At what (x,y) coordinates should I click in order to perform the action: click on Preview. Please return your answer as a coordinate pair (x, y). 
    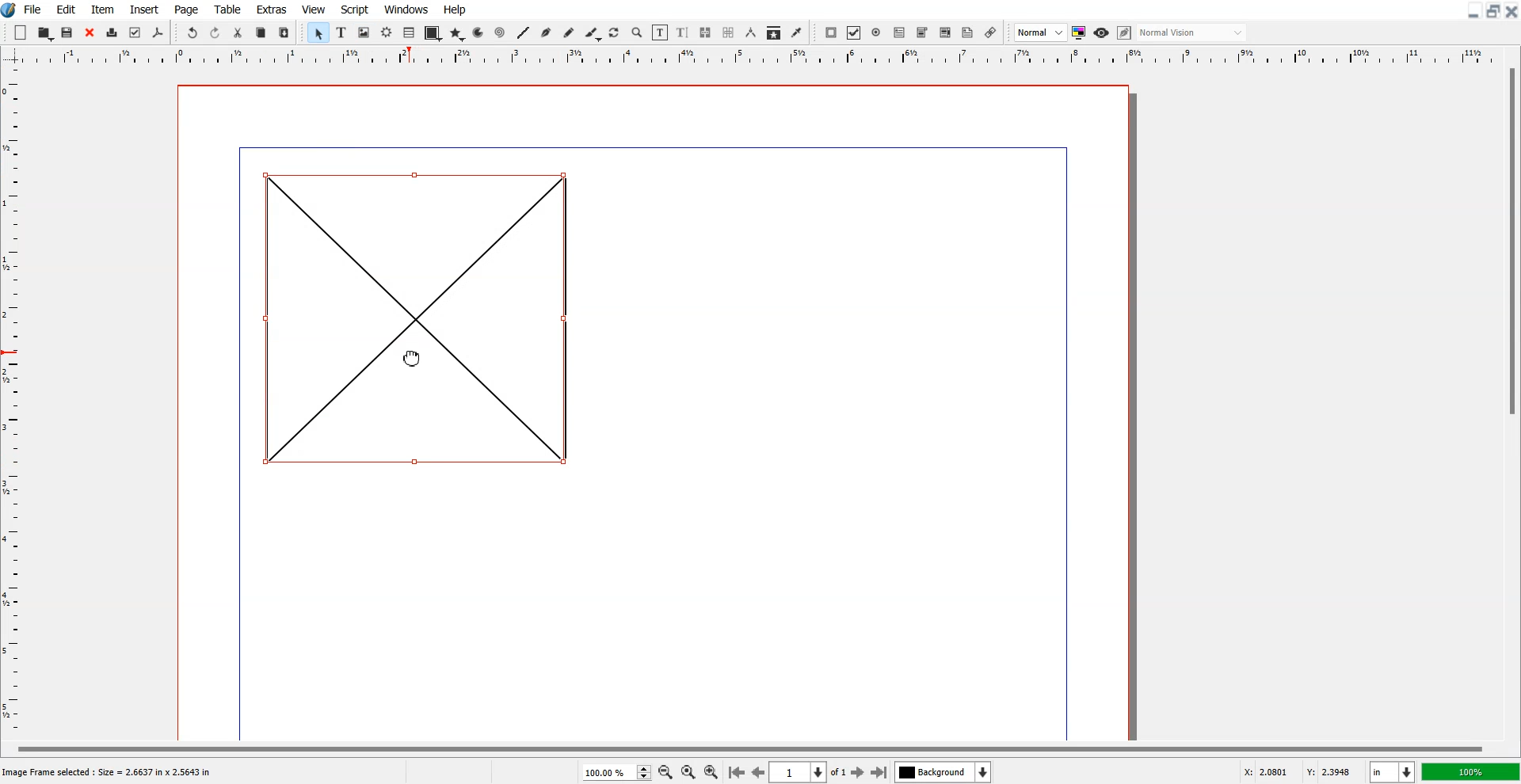
    Looking at the image, I should click on (1101, 32).